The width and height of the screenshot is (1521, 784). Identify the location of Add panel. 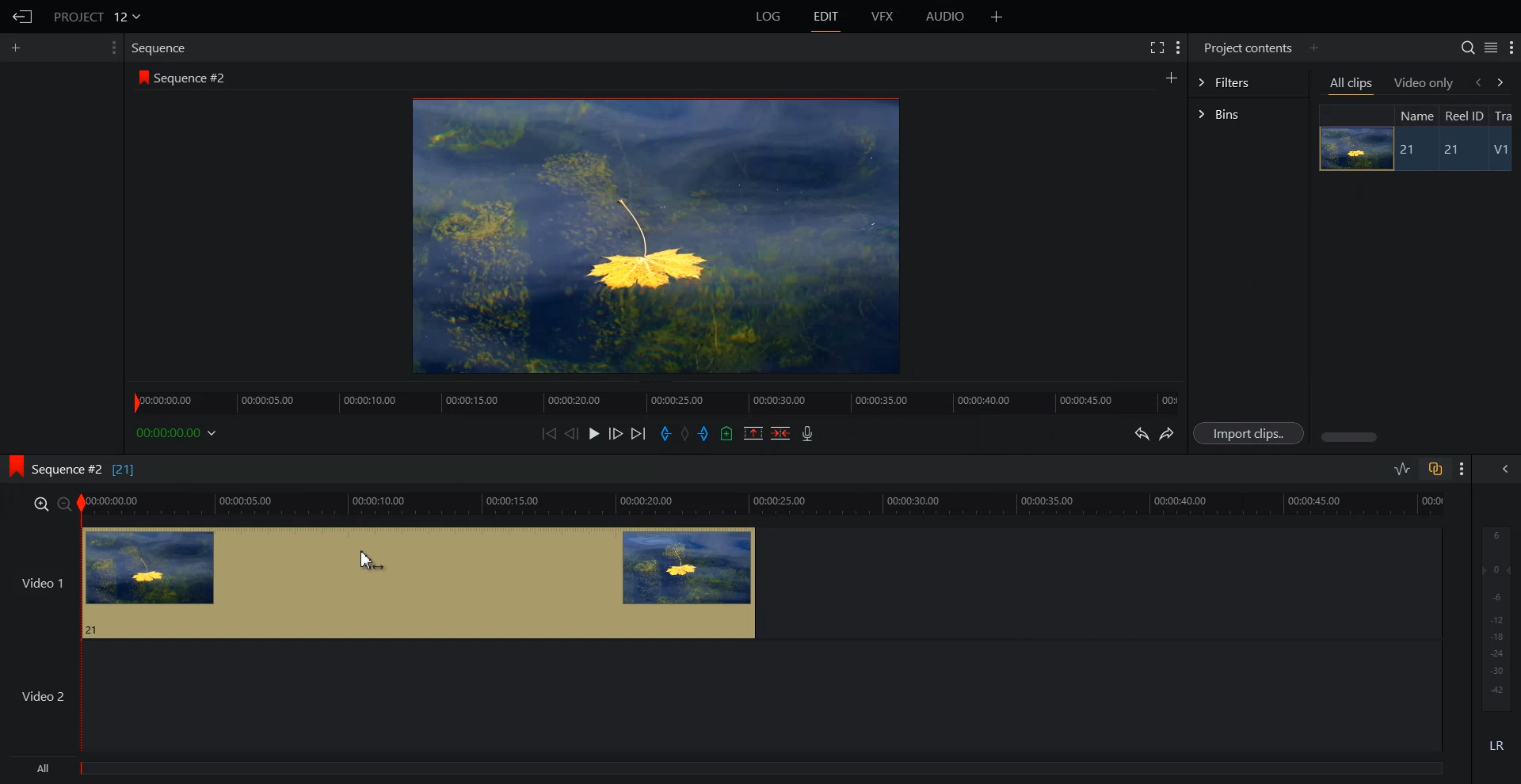
(1313, 48).